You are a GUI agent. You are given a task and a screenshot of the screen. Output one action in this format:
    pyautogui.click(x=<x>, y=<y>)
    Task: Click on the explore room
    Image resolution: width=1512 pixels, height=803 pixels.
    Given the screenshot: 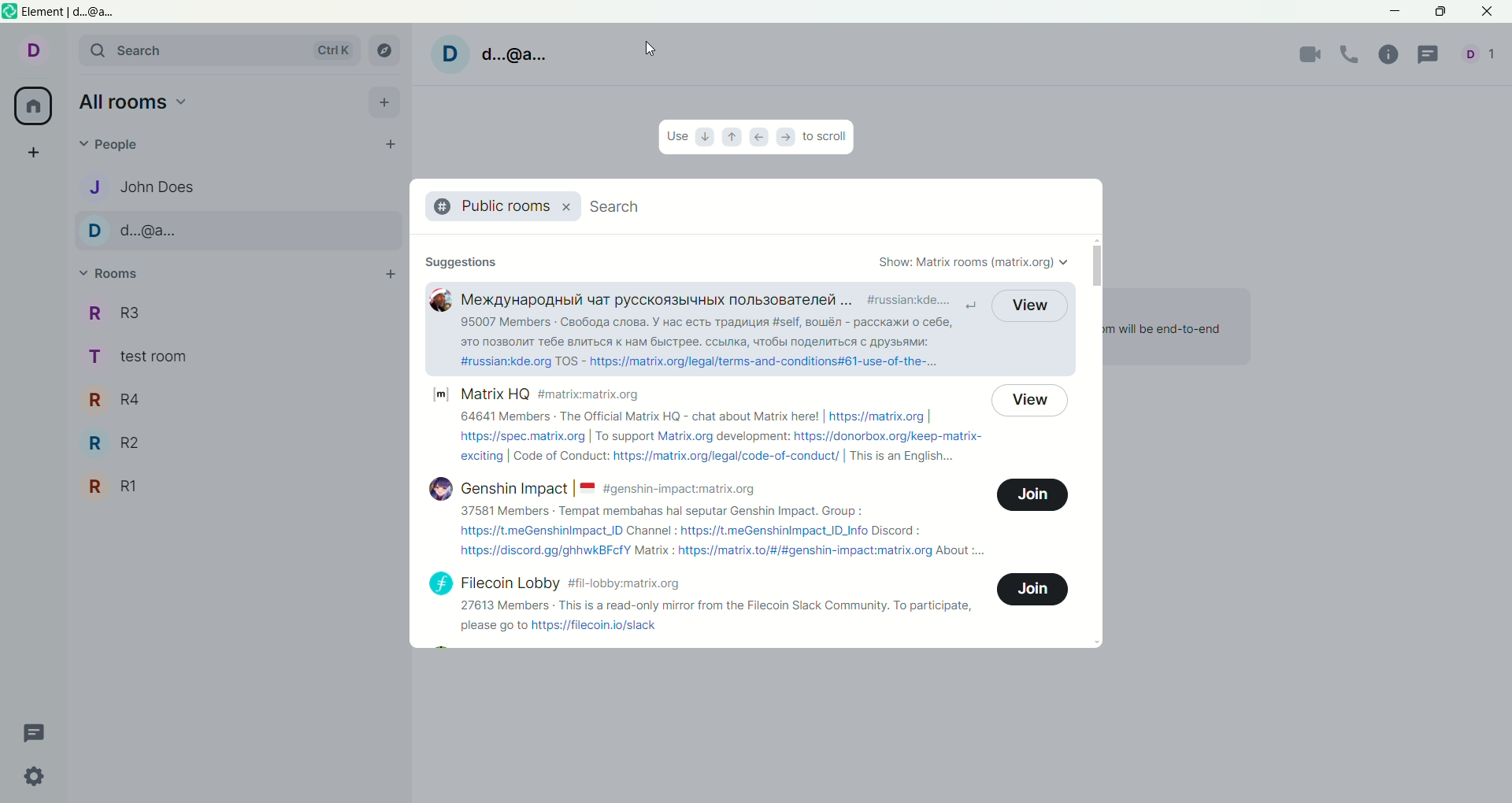 What is the action you would take?
    pyautogui.click(x=385, y=50)
    